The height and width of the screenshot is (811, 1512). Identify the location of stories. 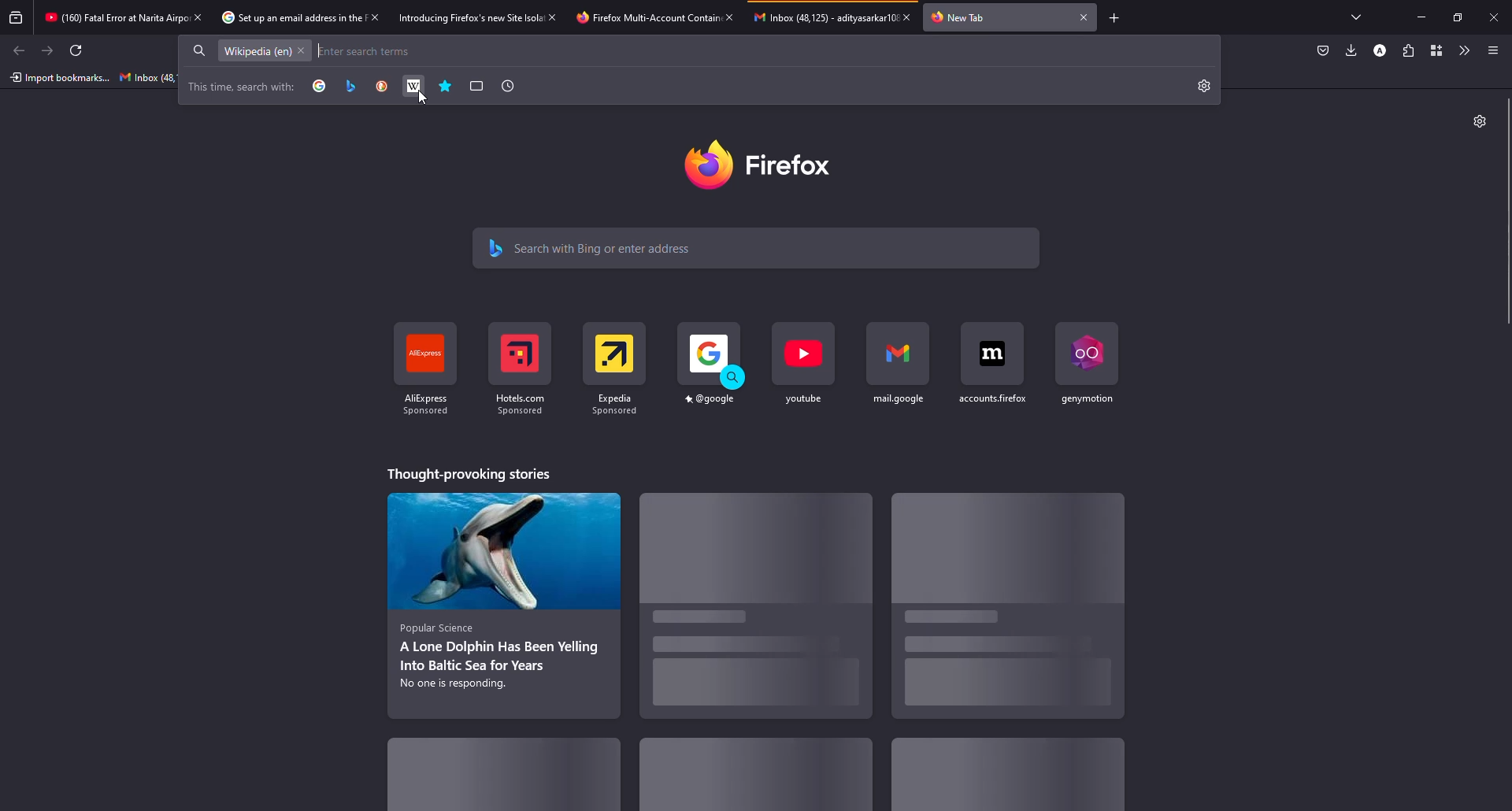
(474, 474).